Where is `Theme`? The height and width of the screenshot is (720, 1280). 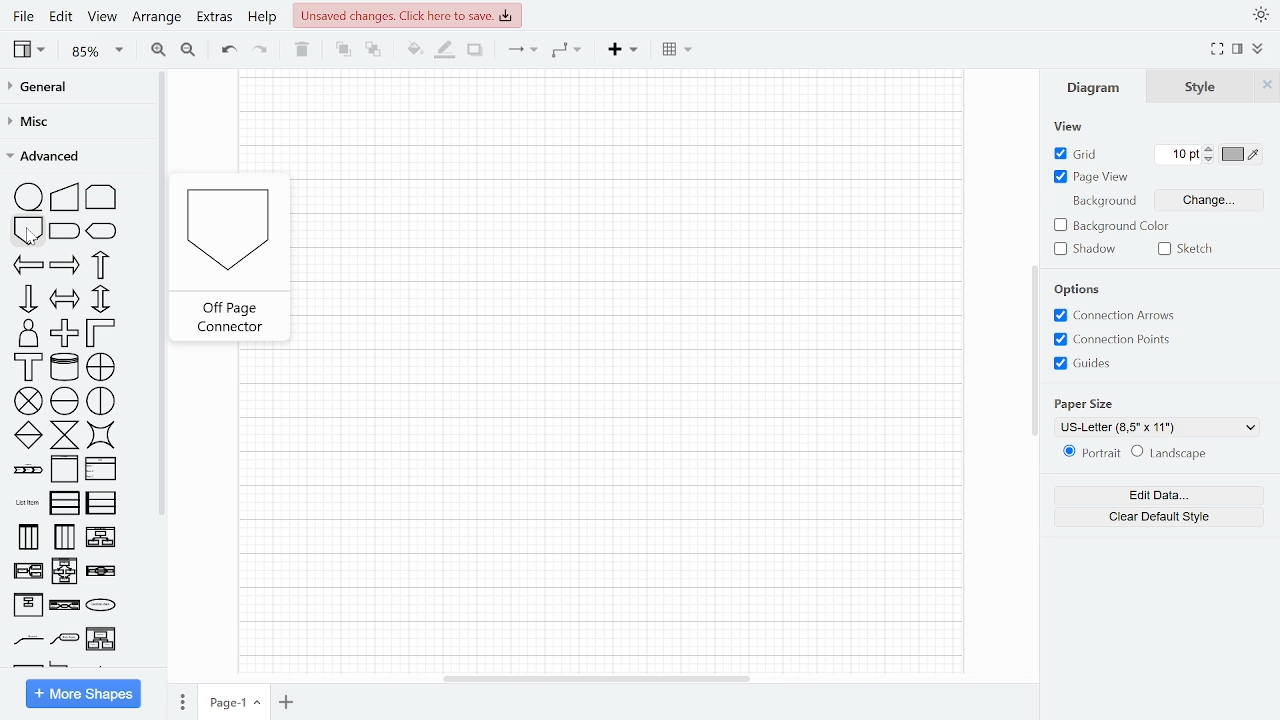
Theme is located at coordinates (1259, 15).